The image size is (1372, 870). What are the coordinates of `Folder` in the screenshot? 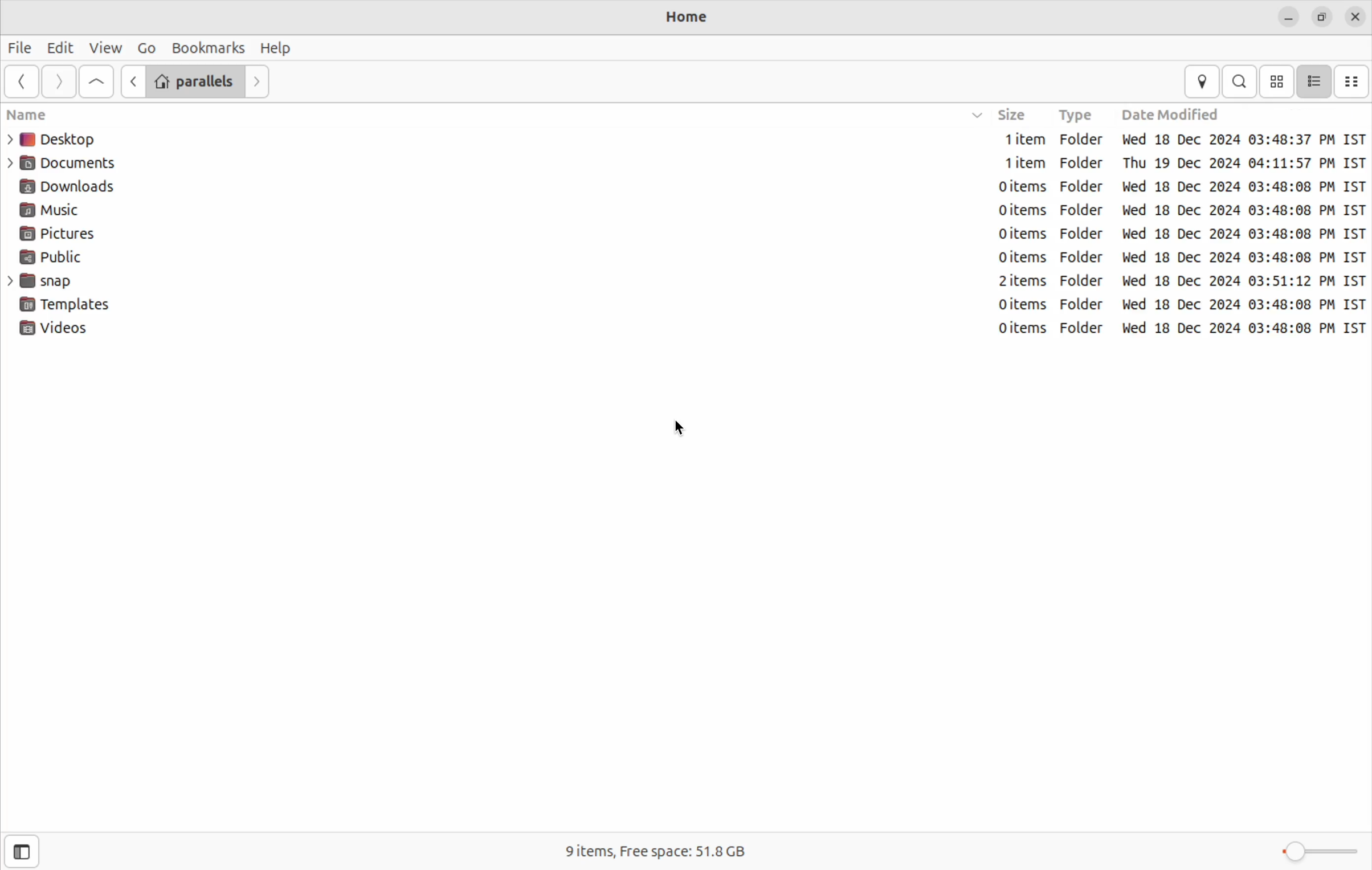 It's located at (1083, 235).